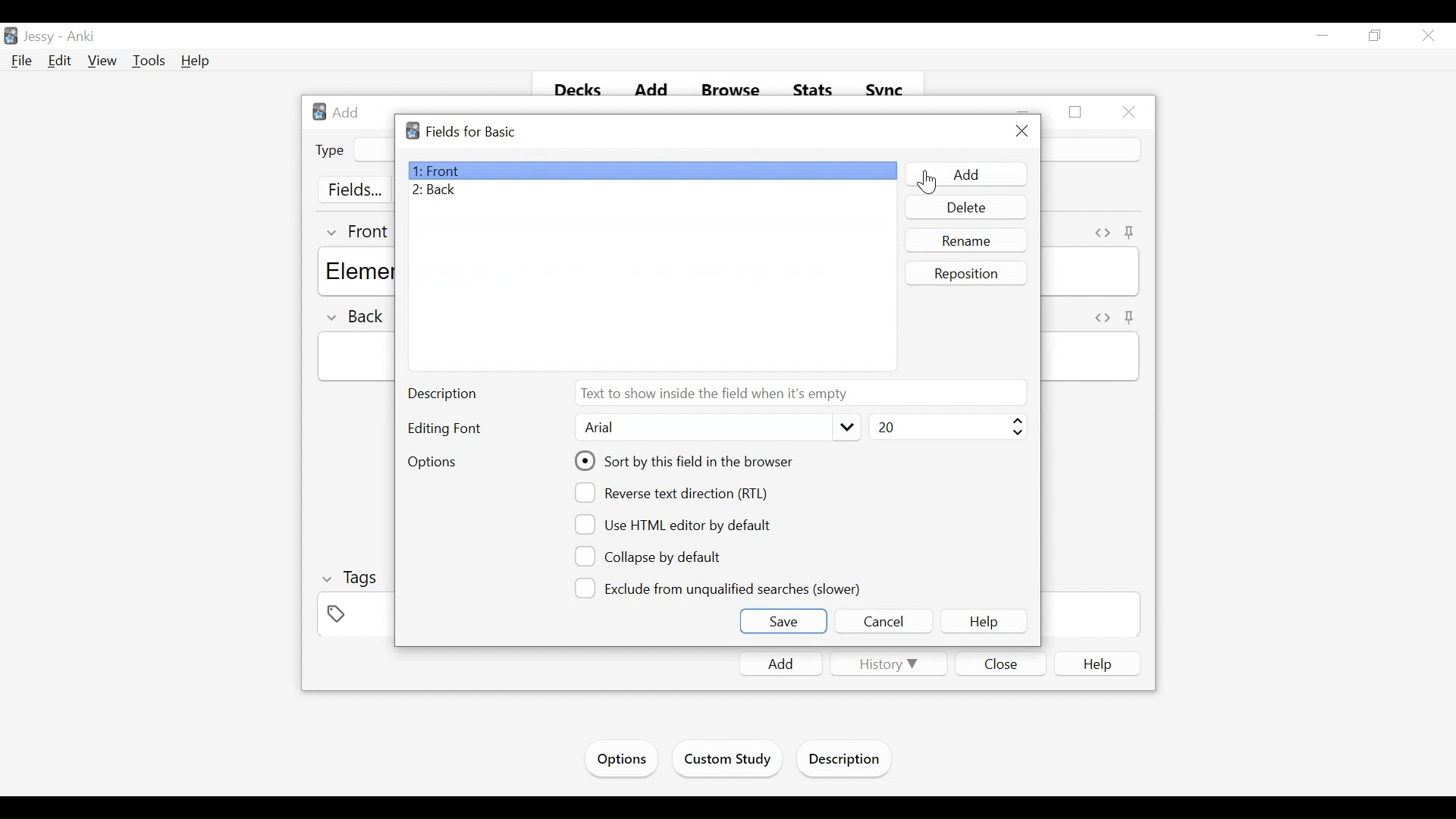 This screenshot has height=819, width=1456. Describe the element at coordinates (965, 174) in the screenshot. I see `` at that location.